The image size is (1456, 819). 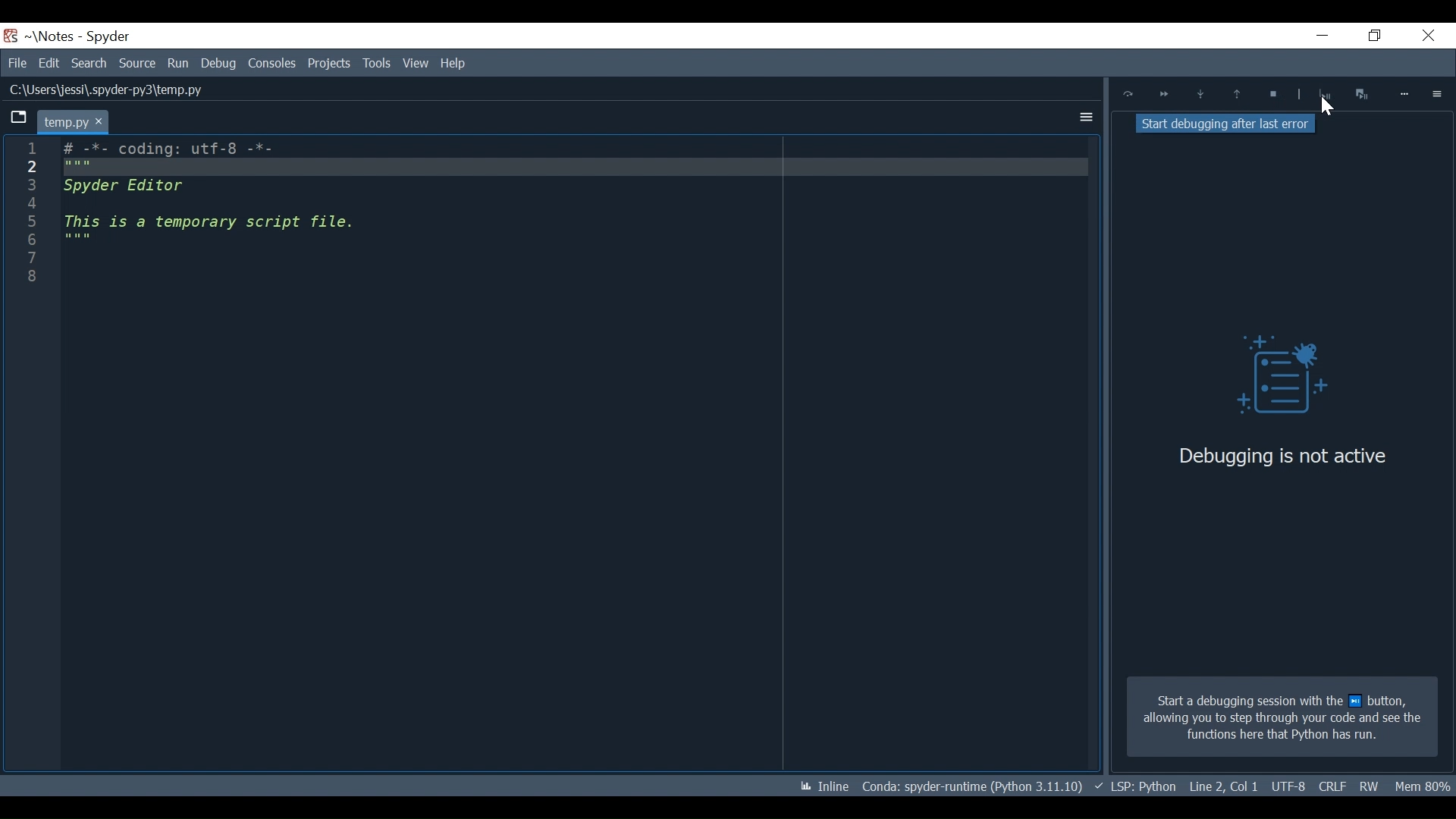 What do you see at coordinates (1438, 93) in the screenshot?
I see `Options` at bounding box center [1438, 93].